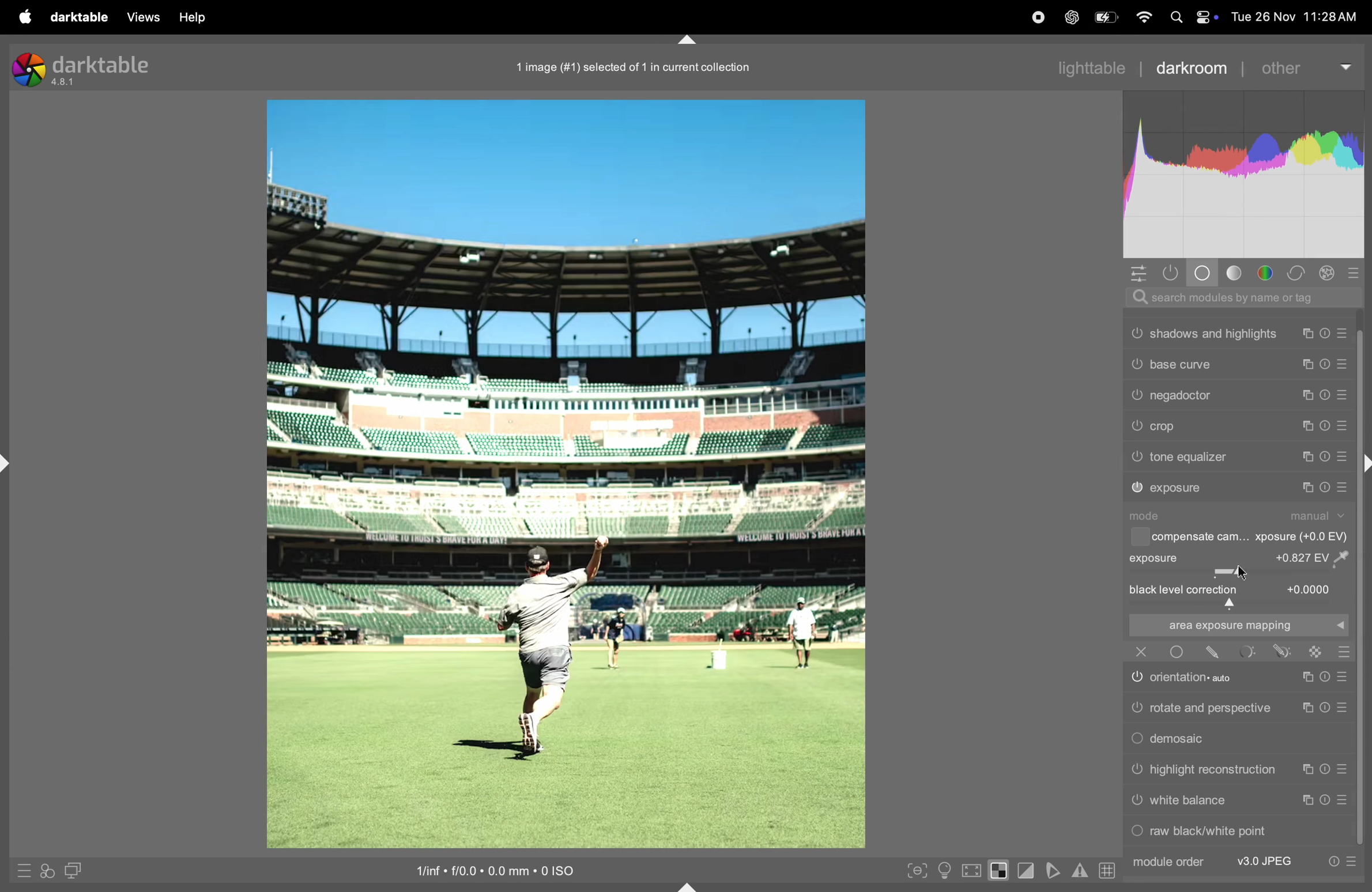 The height and width of the screenshot is (892, 1372). Describe the element at coordinates (1136, 396) in the screenshot. I see `Switch on or off` at that location.